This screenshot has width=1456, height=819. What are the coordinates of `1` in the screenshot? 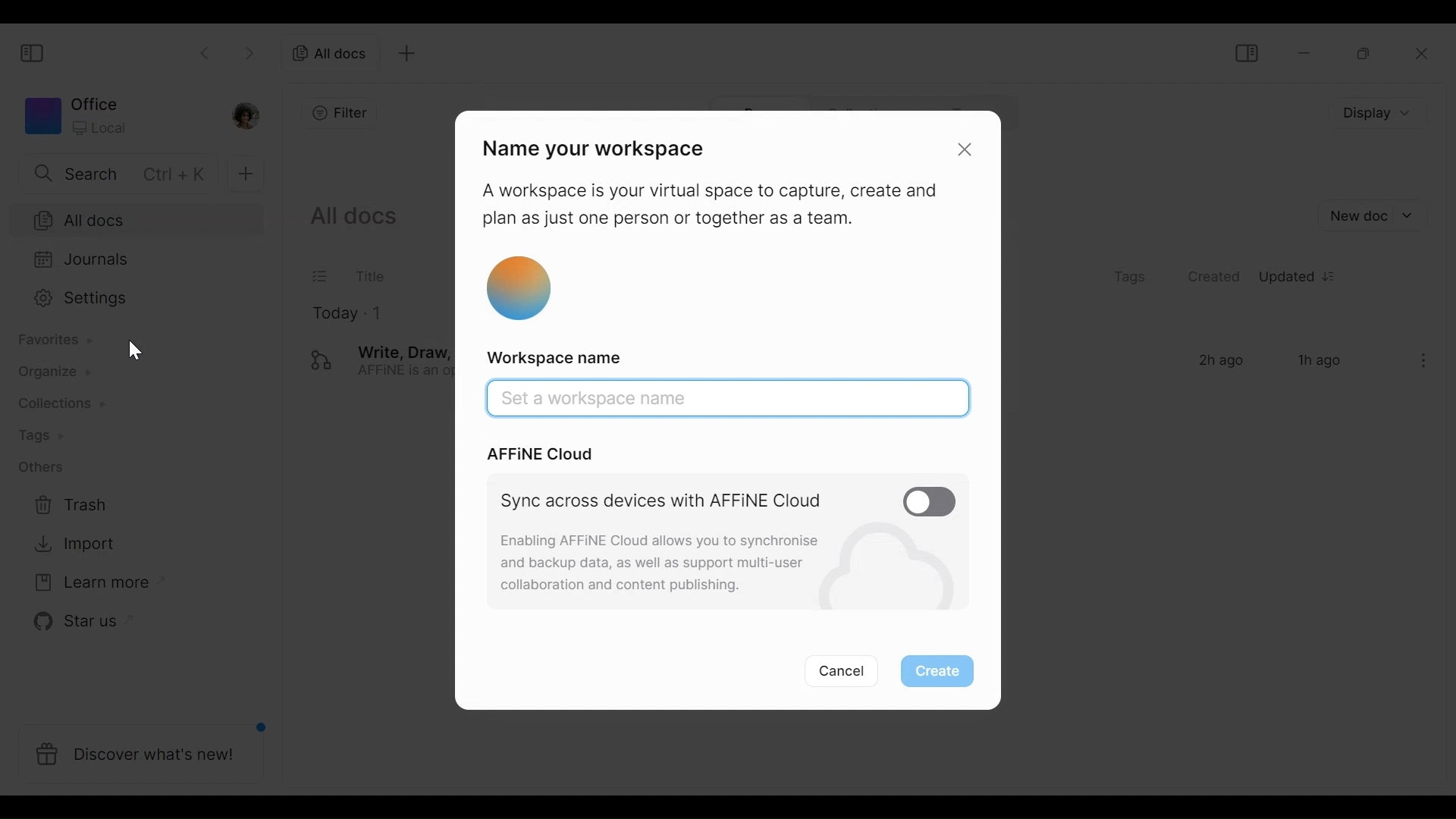 It's located at (380, 315).